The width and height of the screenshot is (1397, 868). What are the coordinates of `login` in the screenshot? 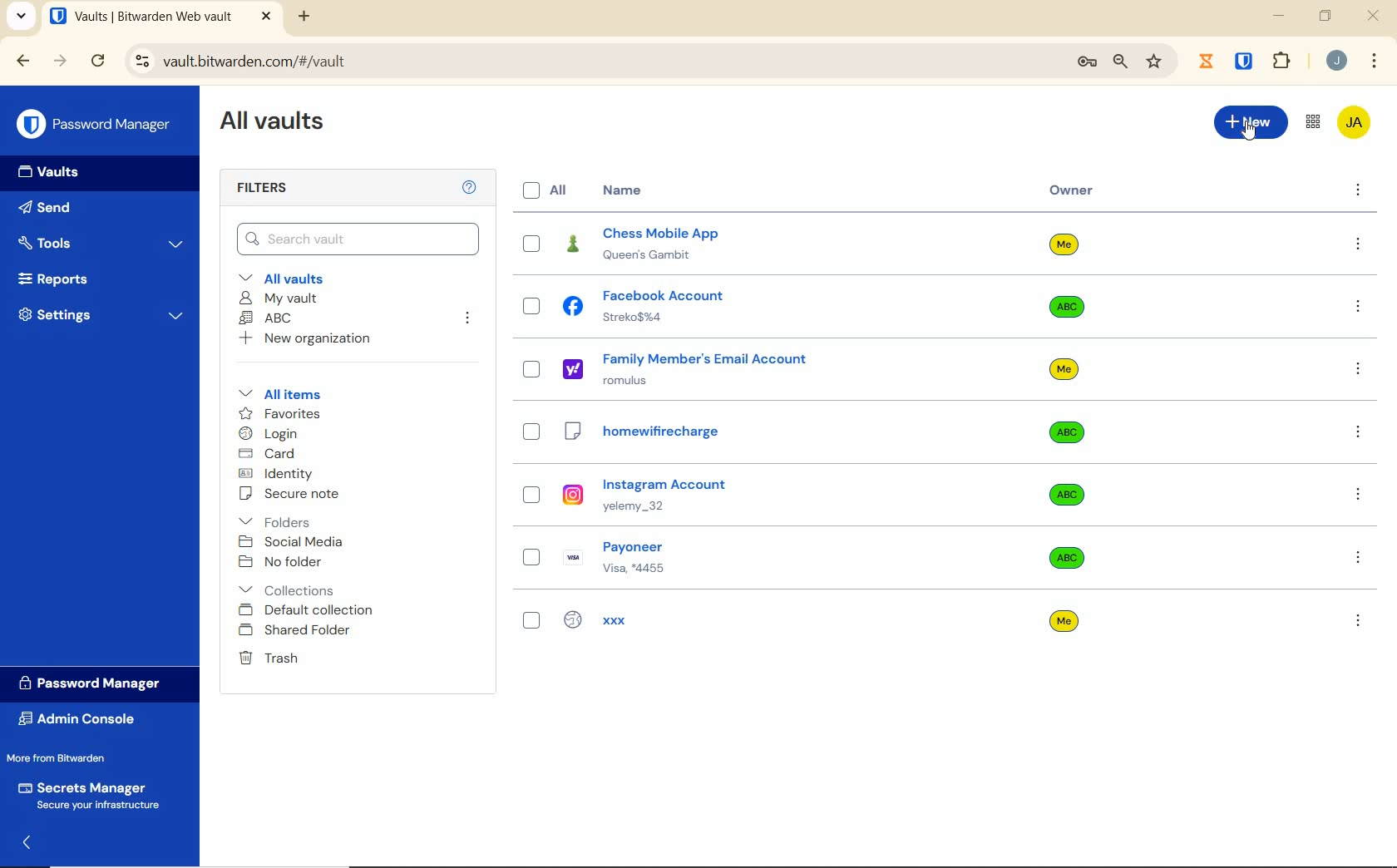 It's located at (272, 435).